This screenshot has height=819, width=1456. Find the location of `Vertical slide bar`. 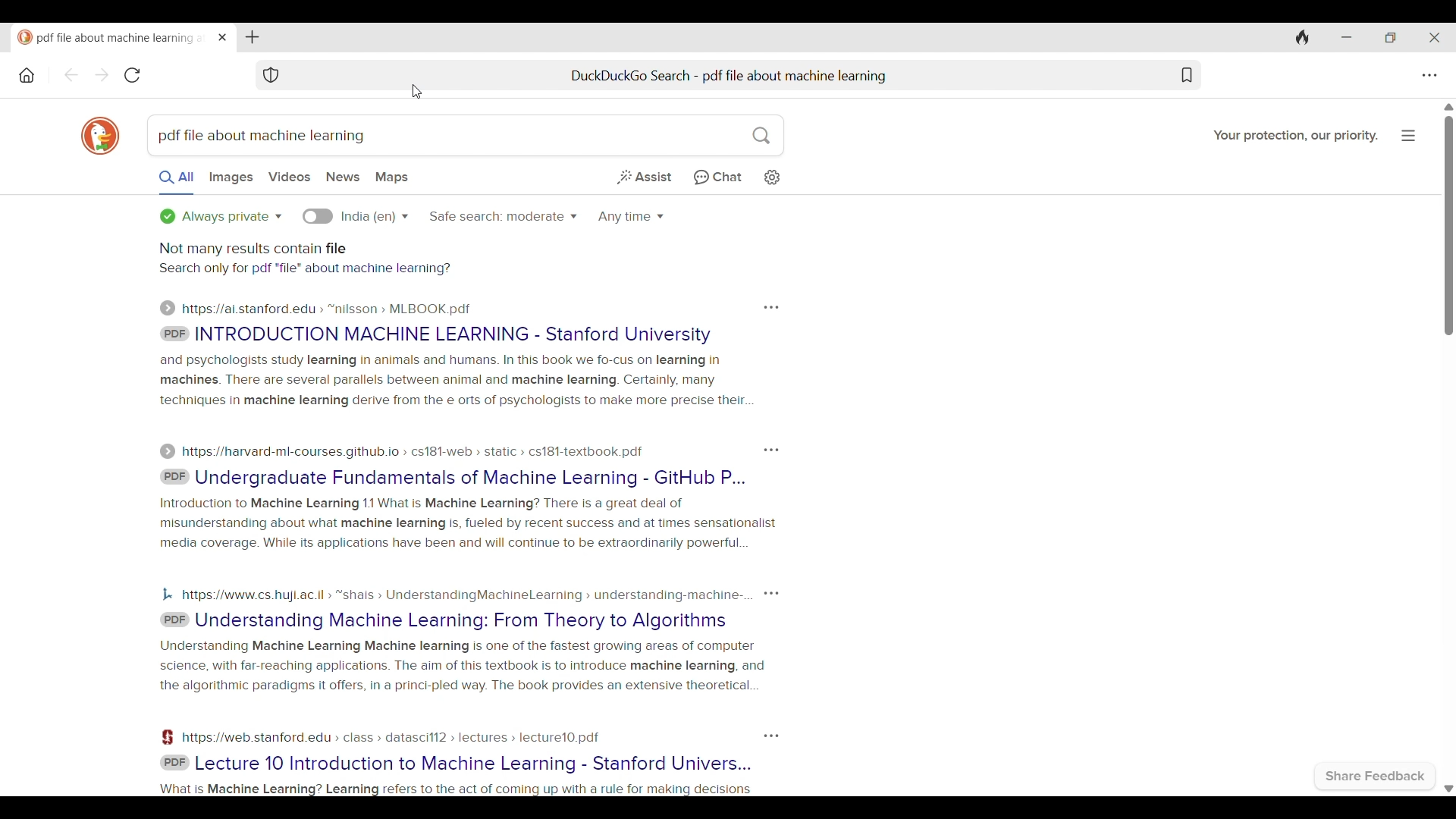

Vertical slide bar is located at coordinates (1448, 226).